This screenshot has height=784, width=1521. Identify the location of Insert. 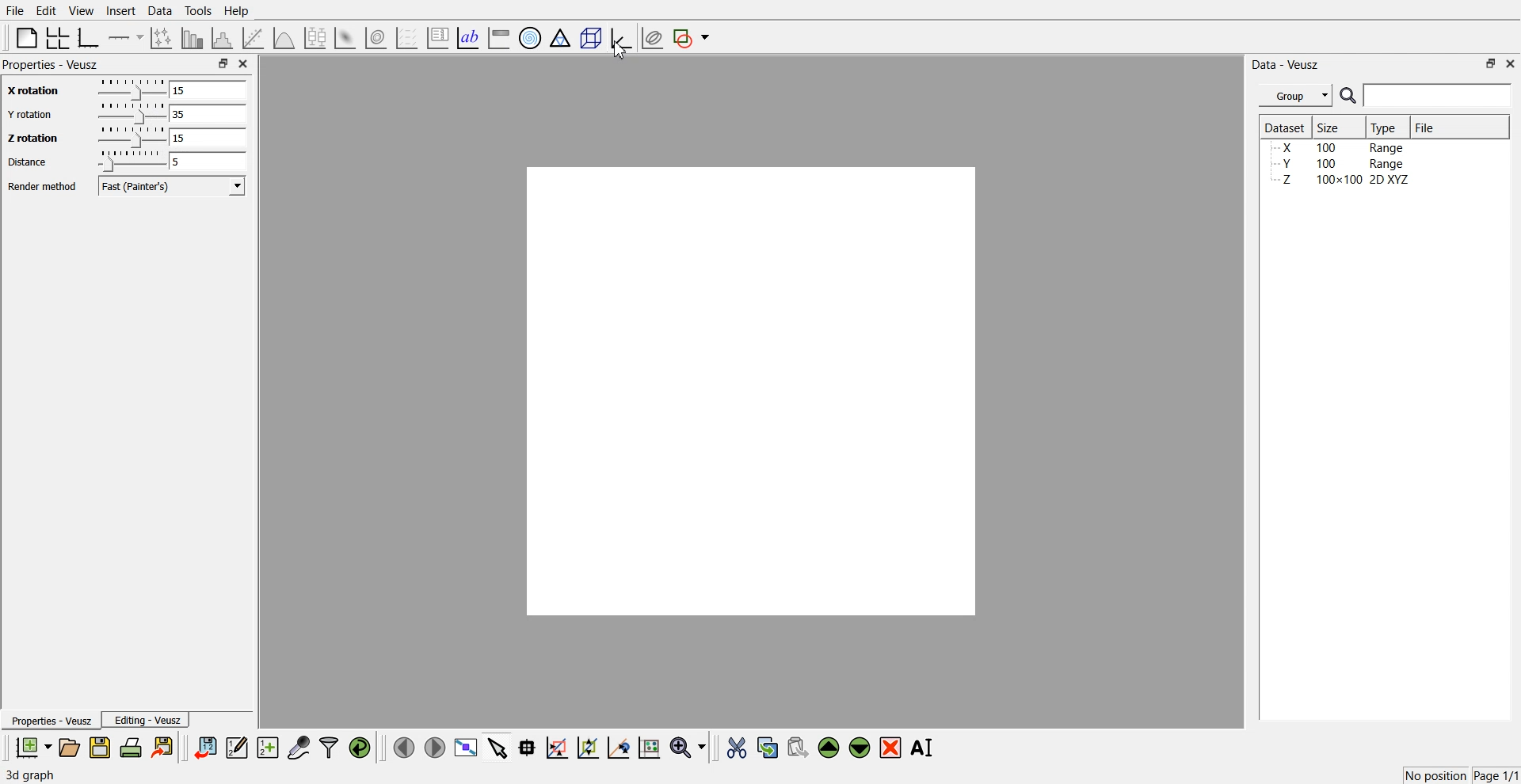
(120, 10).